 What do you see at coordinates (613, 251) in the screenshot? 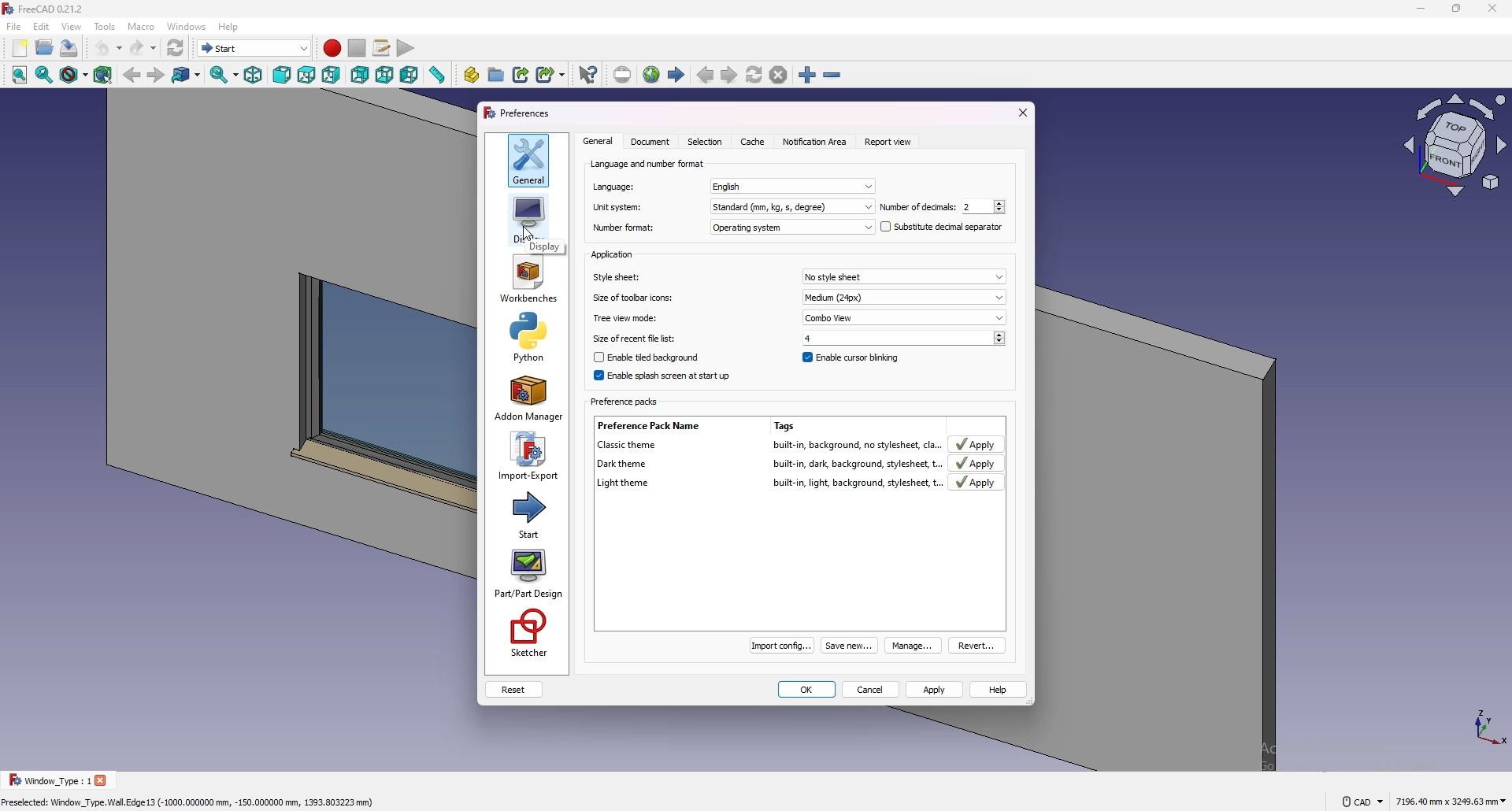
I see `application` at bounding box center [613, 251].